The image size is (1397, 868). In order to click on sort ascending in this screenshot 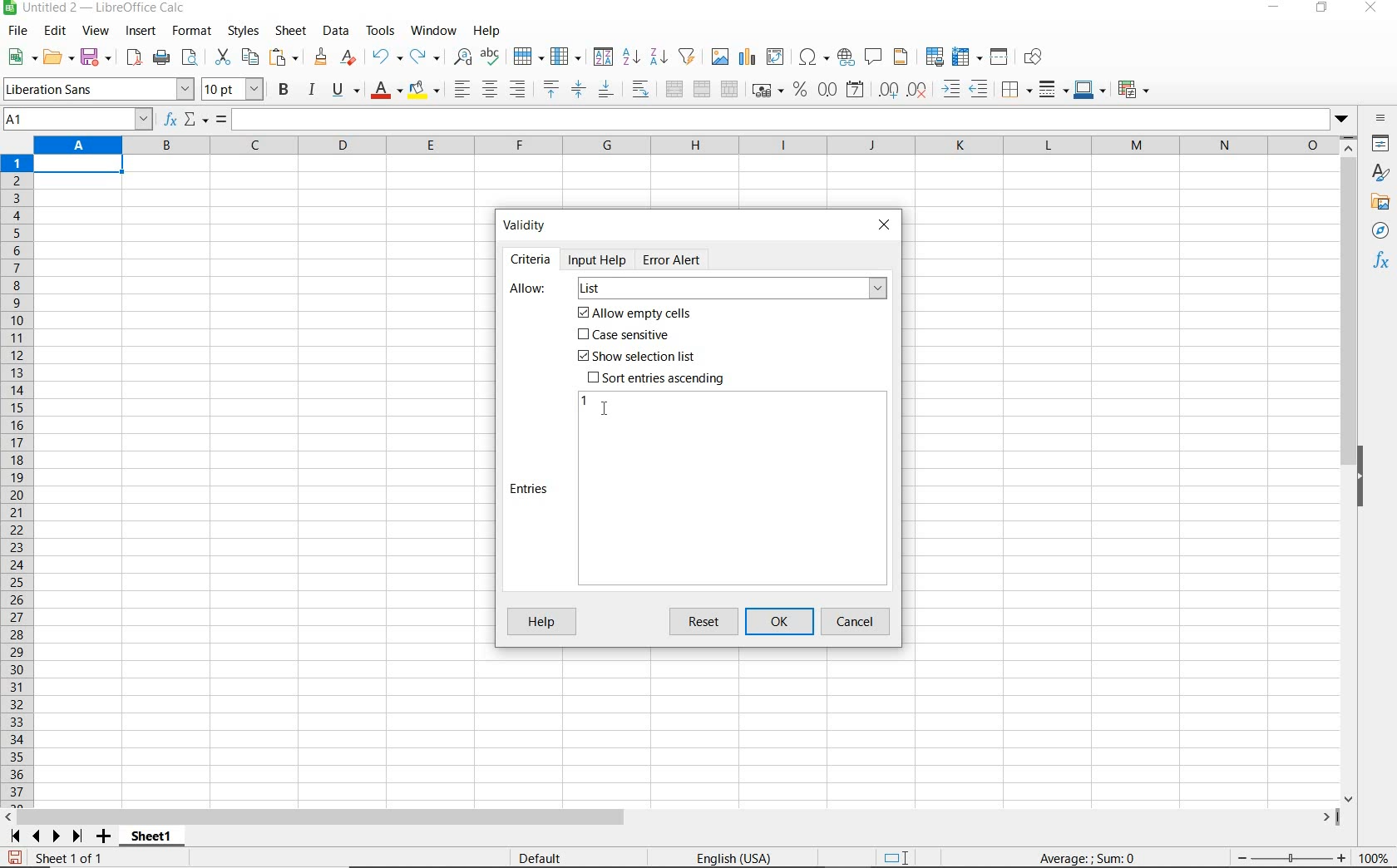, I will do `click(631, 58)`.